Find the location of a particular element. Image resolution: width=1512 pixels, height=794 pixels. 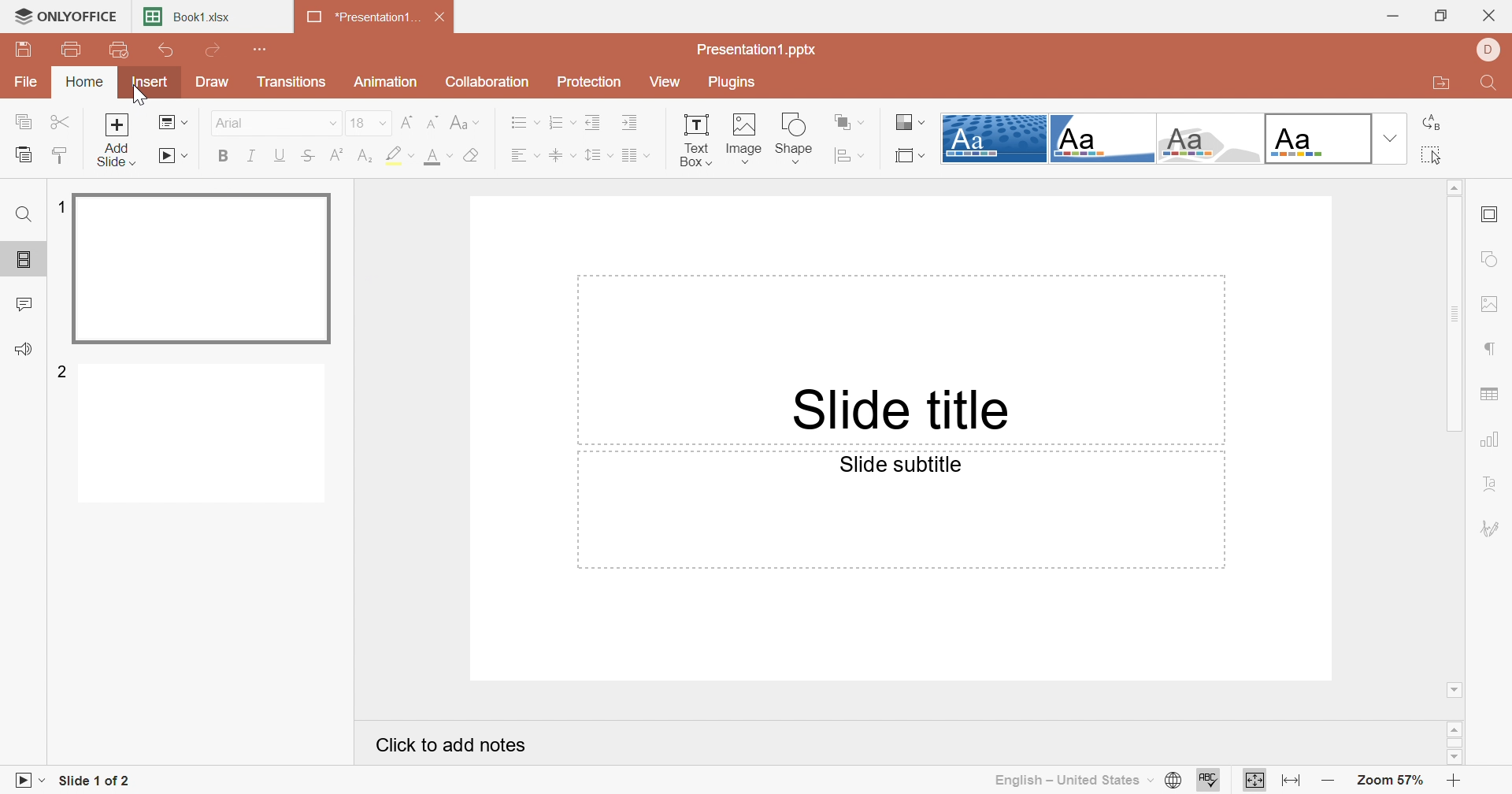

Customize Quick AcessToolbar is located at coordinates (261, 47).